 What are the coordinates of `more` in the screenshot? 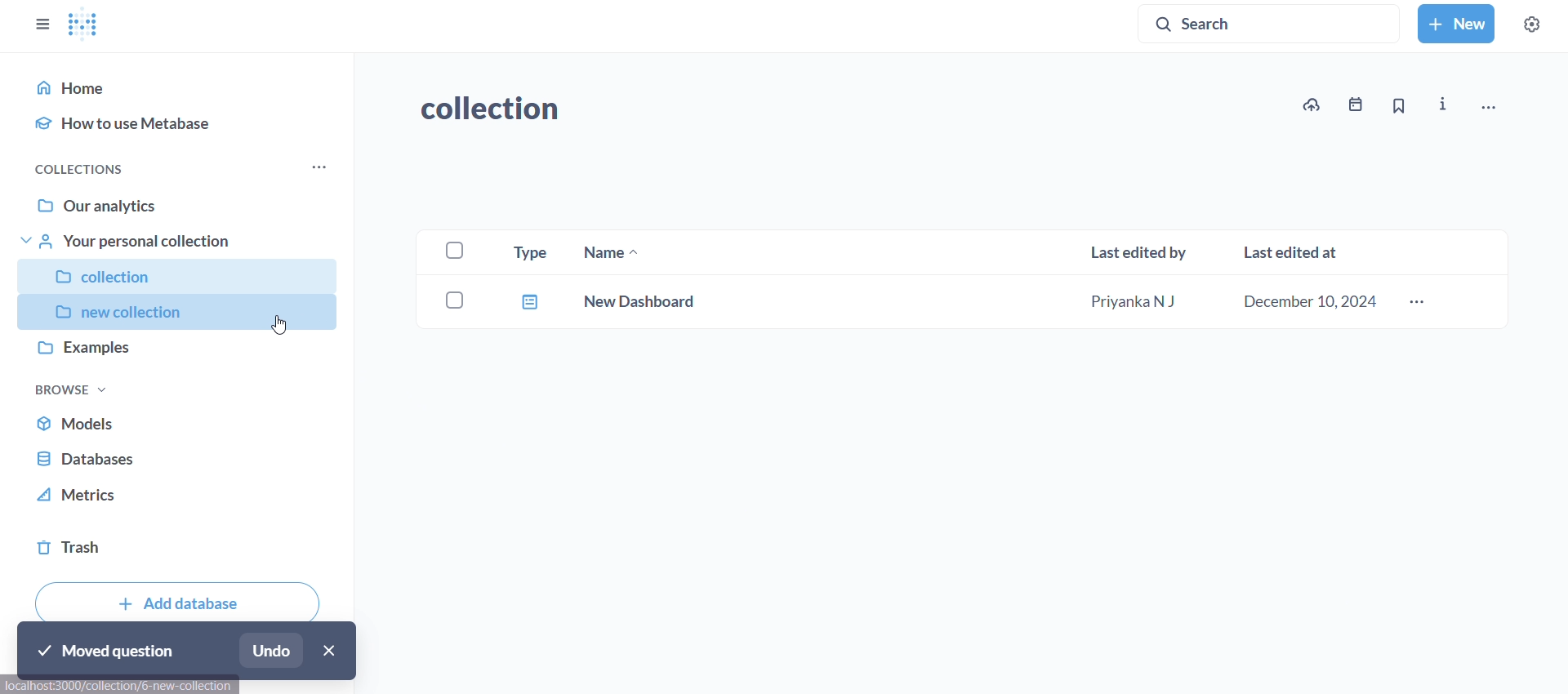 It's located at (1418, 304).